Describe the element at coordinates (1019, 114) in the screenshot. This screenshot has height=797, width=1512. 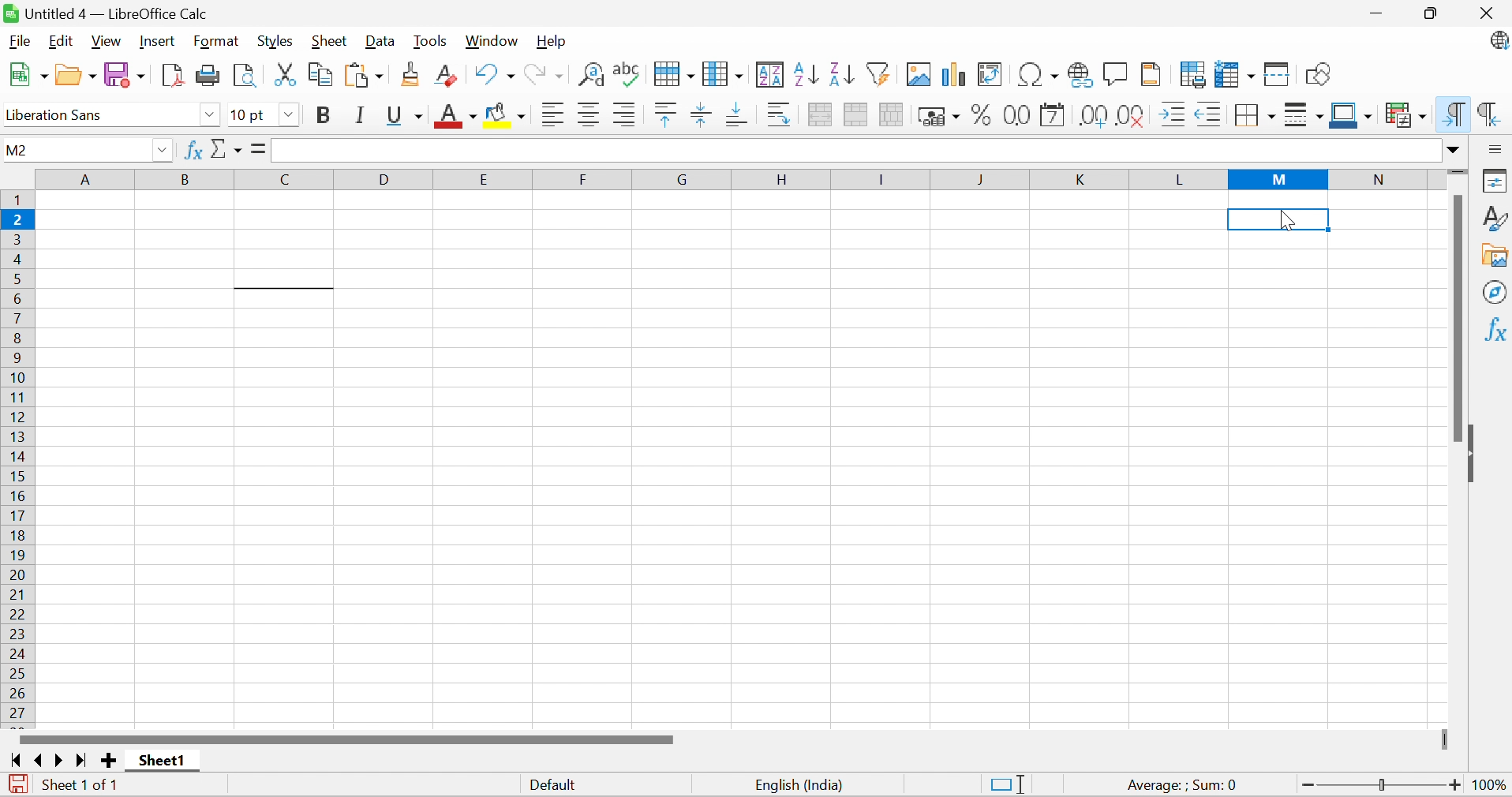
I see `Format as number` at that location.